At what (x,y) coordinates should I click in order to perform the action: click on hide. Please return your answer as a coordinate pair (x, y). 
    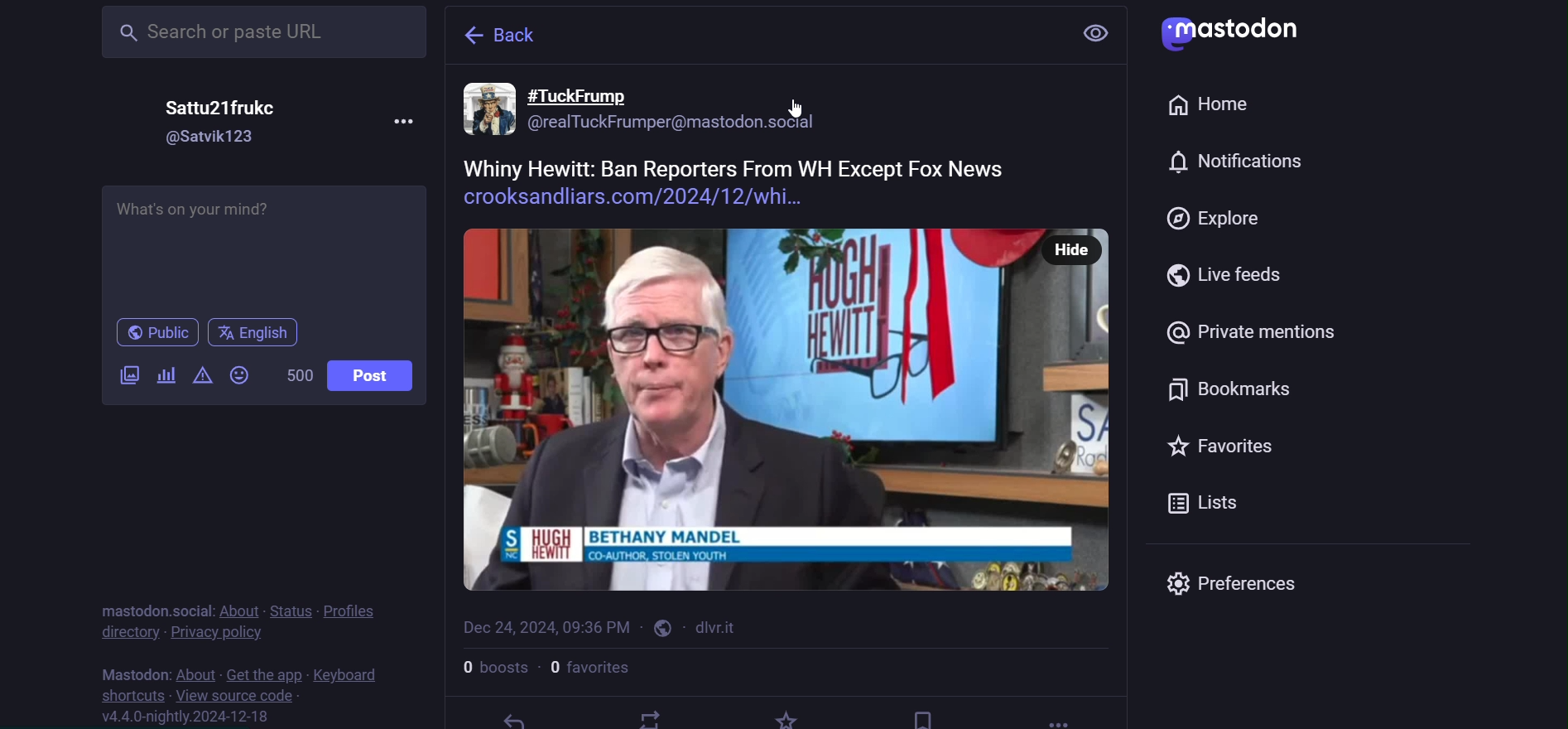
    Looking at the image, I should click on (1070, 238).